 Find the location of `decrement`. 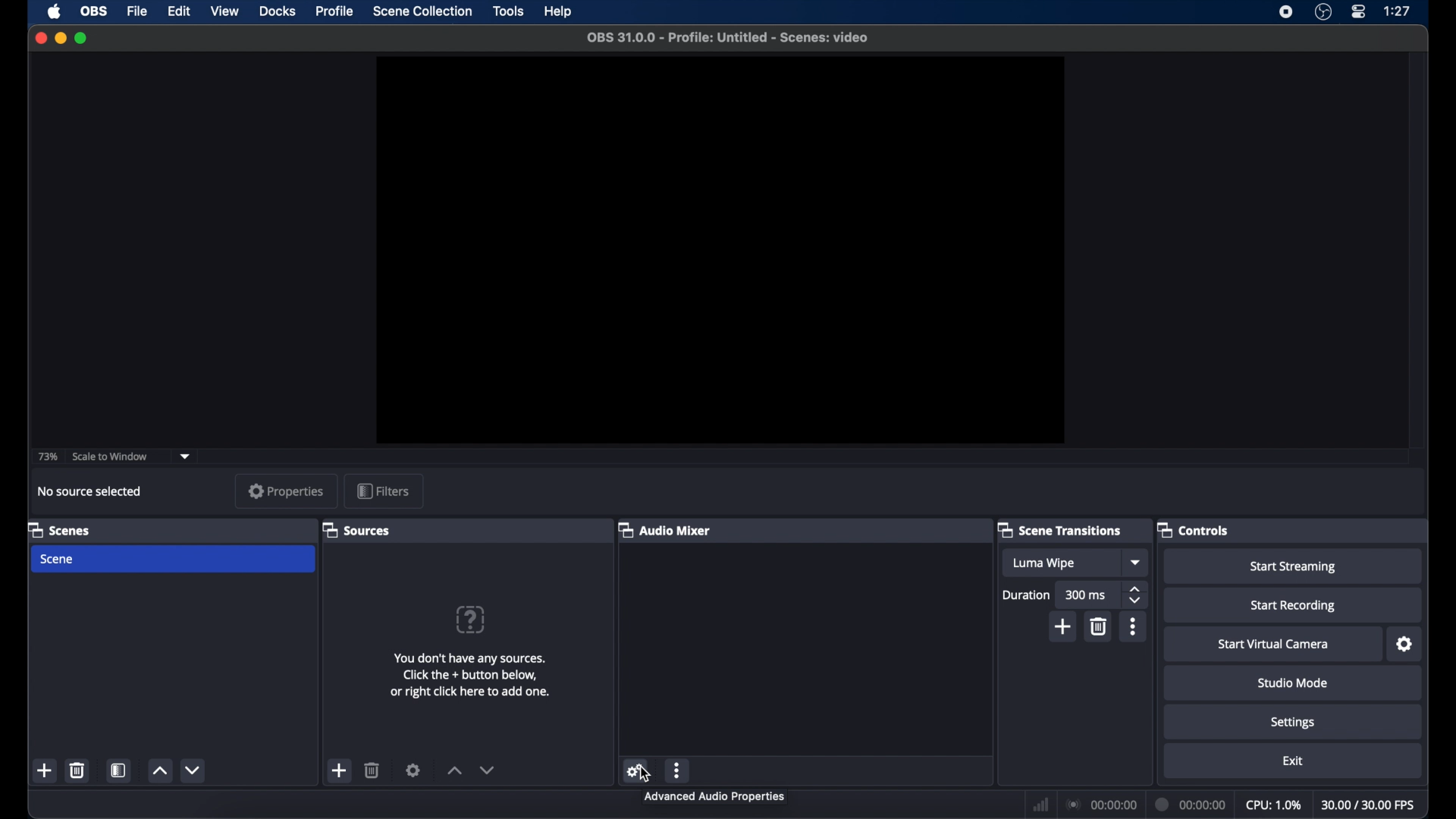

decrement is located at coordinates (196, 770).